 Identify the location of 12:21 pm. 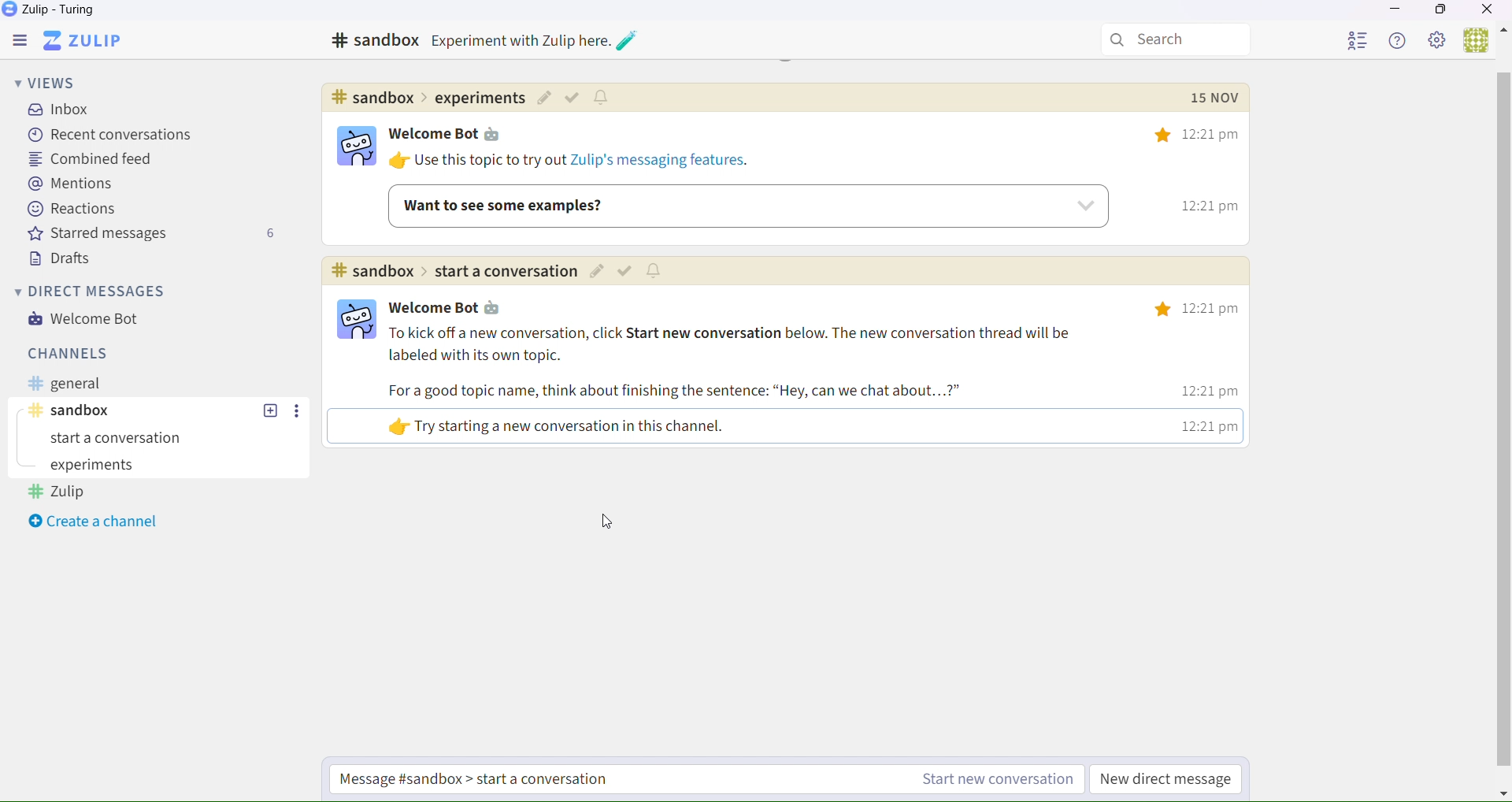
(1193, 310).